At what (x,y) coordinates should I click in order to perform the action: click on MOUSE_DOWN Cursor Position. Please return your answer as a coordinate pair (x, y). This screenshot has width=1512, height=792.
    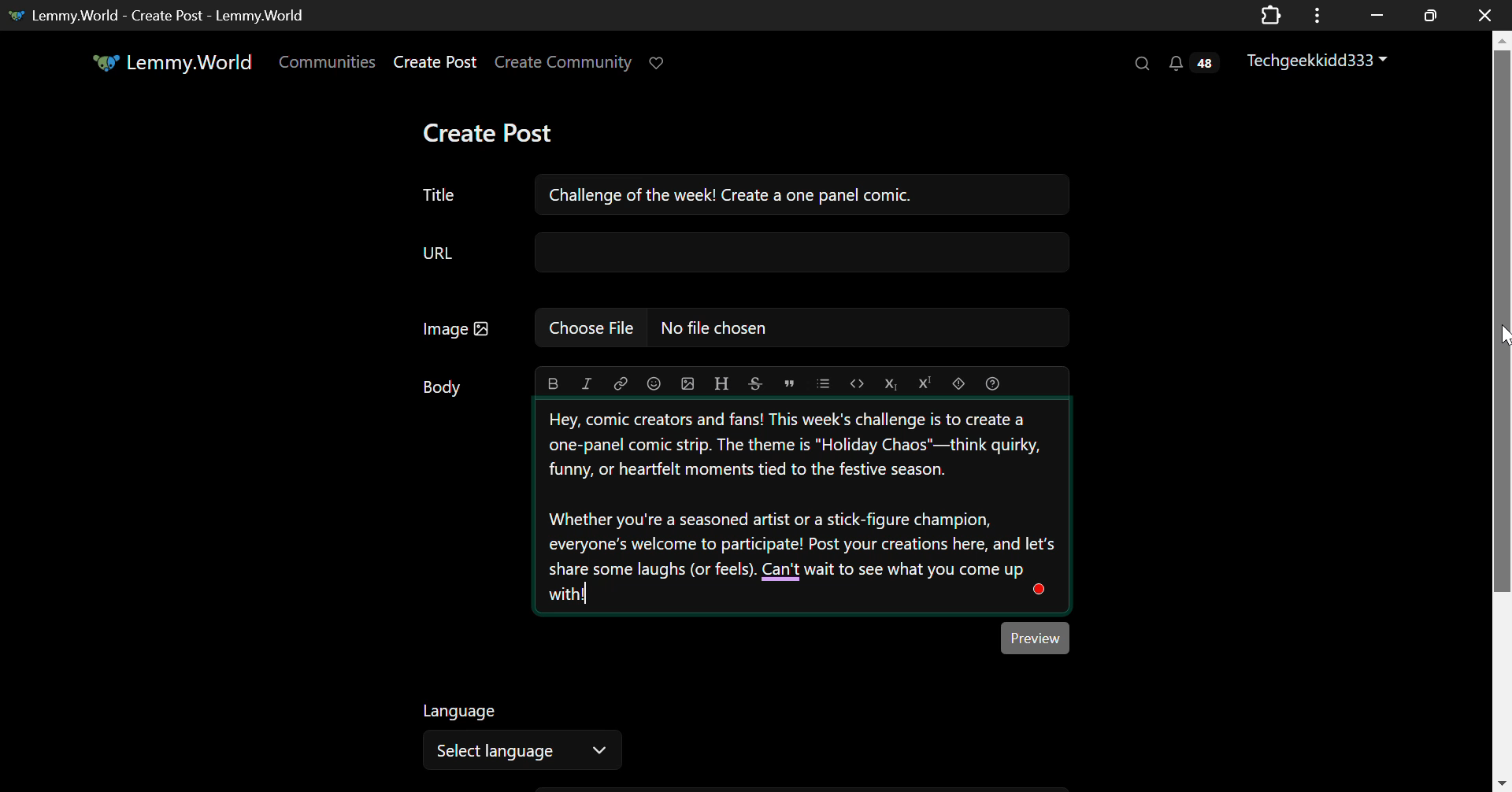
    Looking at the image, I should click on (1503, 339).